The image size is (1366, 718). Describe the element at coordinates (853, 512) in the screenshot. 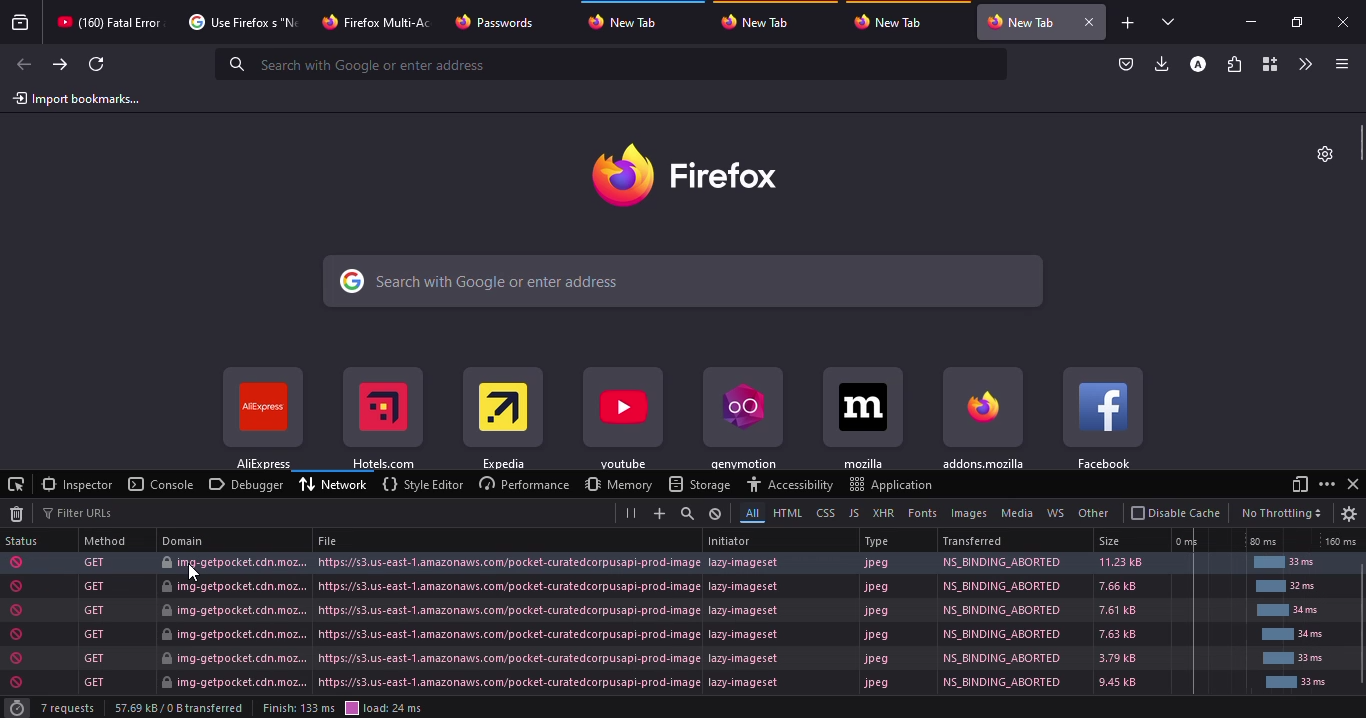

I see `js` at that location.